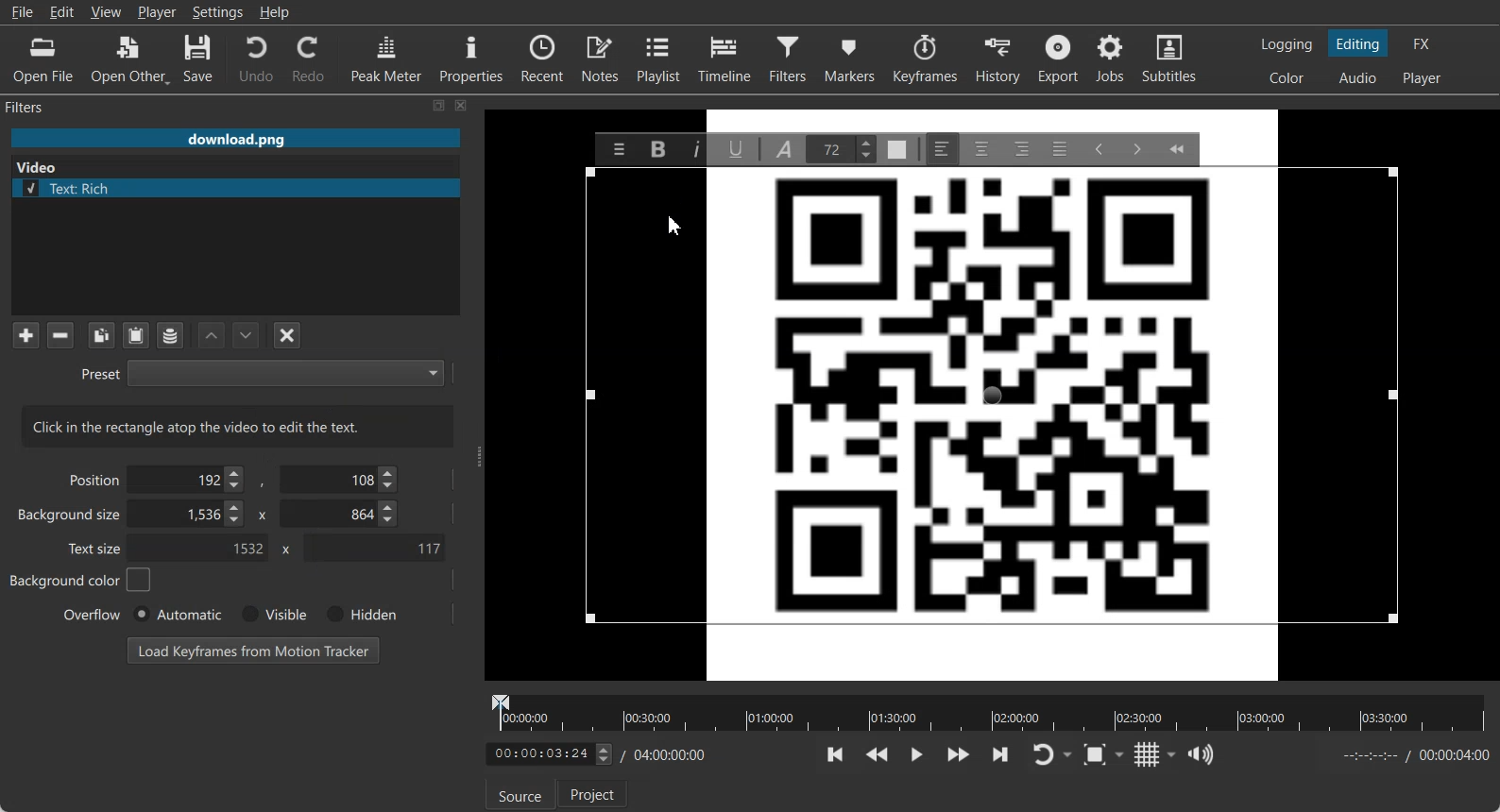 Image resolution: width=1500 pixels, height=812 pixels. Describe the element at coordinates (288, 335) in the screenshot. I see `Deselect the filter` at that location.